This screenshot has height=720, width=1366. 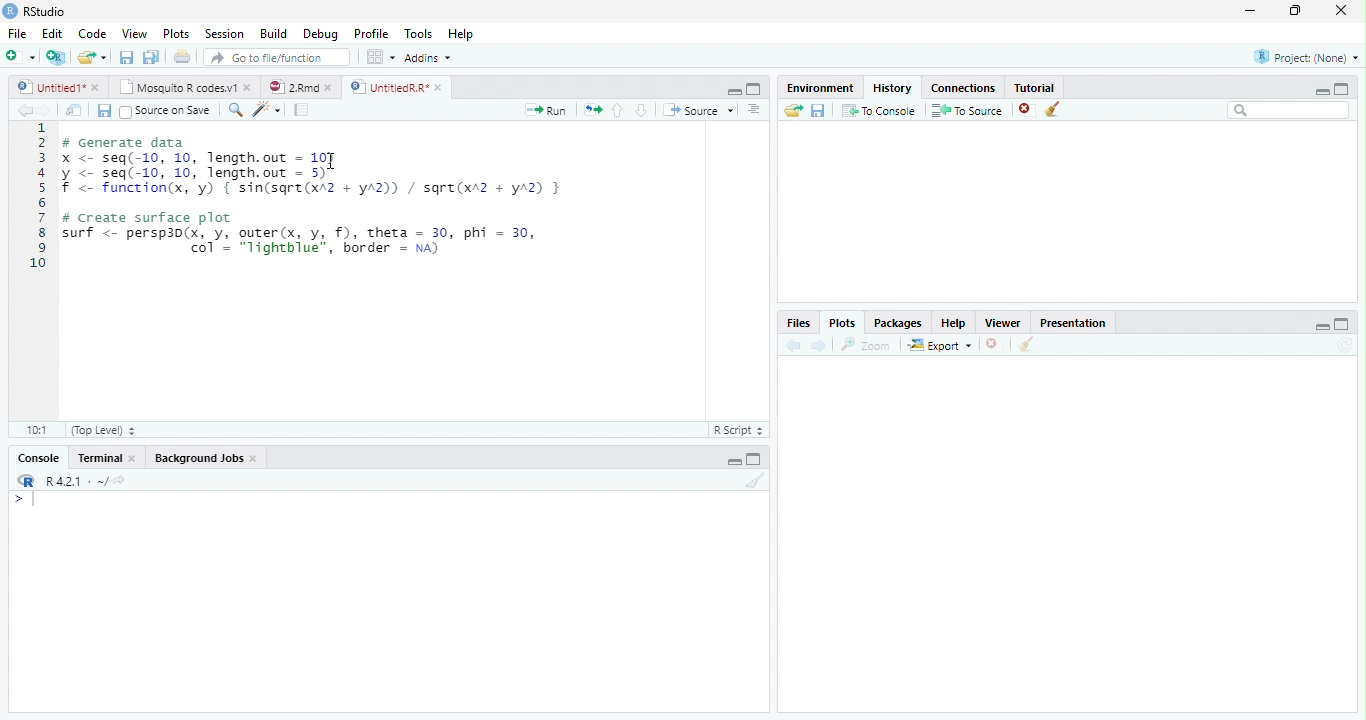 I want to click on Code, so click(x=91, y=33).